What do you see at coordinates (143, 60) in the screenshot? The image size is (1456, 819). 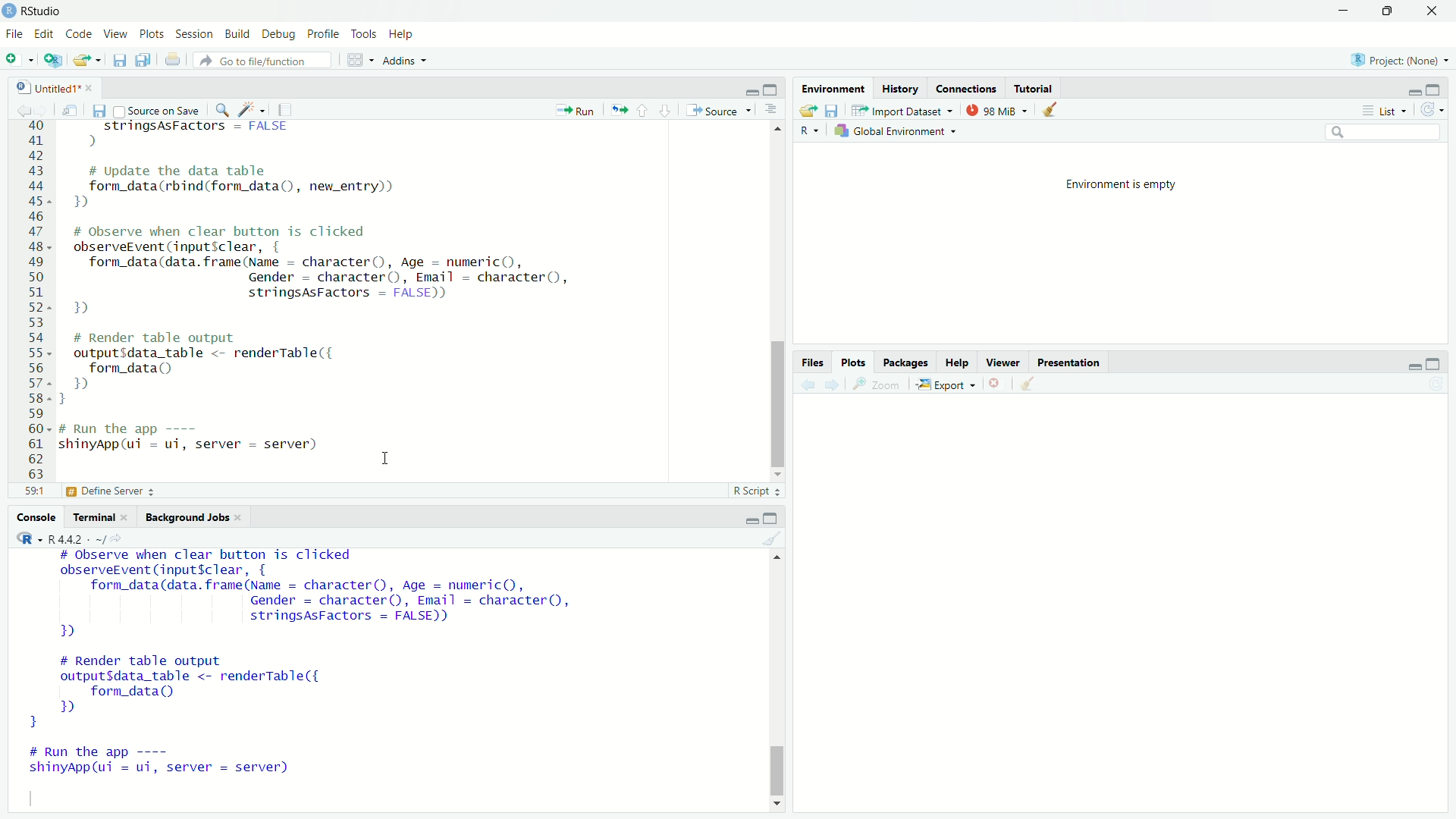 I see `save all open documents` at bounding box center [143, 60].